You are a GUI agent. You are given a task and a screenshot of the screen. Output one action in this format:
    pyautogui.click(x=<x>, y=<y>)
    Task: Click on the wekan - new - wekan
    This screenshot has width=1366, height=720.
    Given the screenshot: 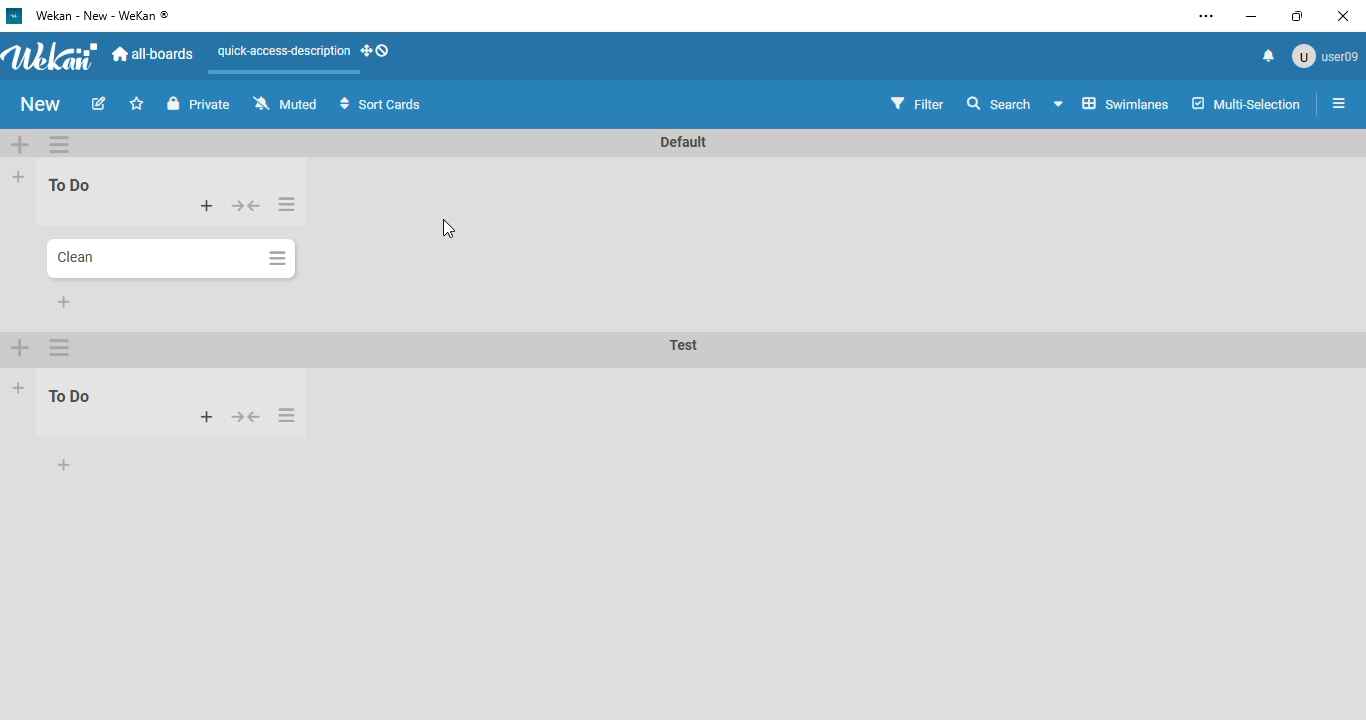 What is the action you would take?
    pyautogui.click(x=102, y=16)
    